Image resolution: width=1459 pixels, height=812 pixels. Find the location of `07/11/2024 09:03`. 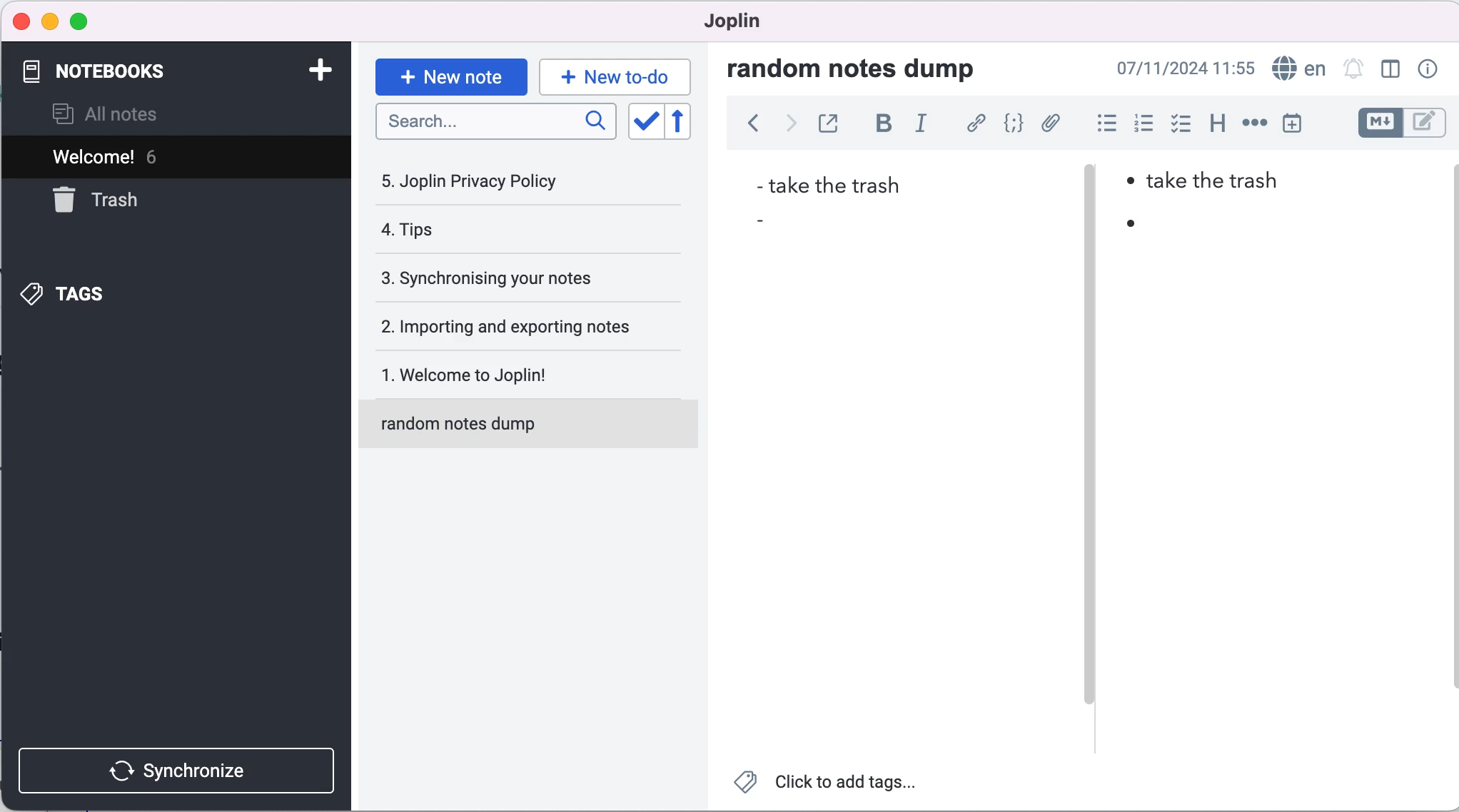

07/11/2024 09:03 is located at coordinates (1186, 68).